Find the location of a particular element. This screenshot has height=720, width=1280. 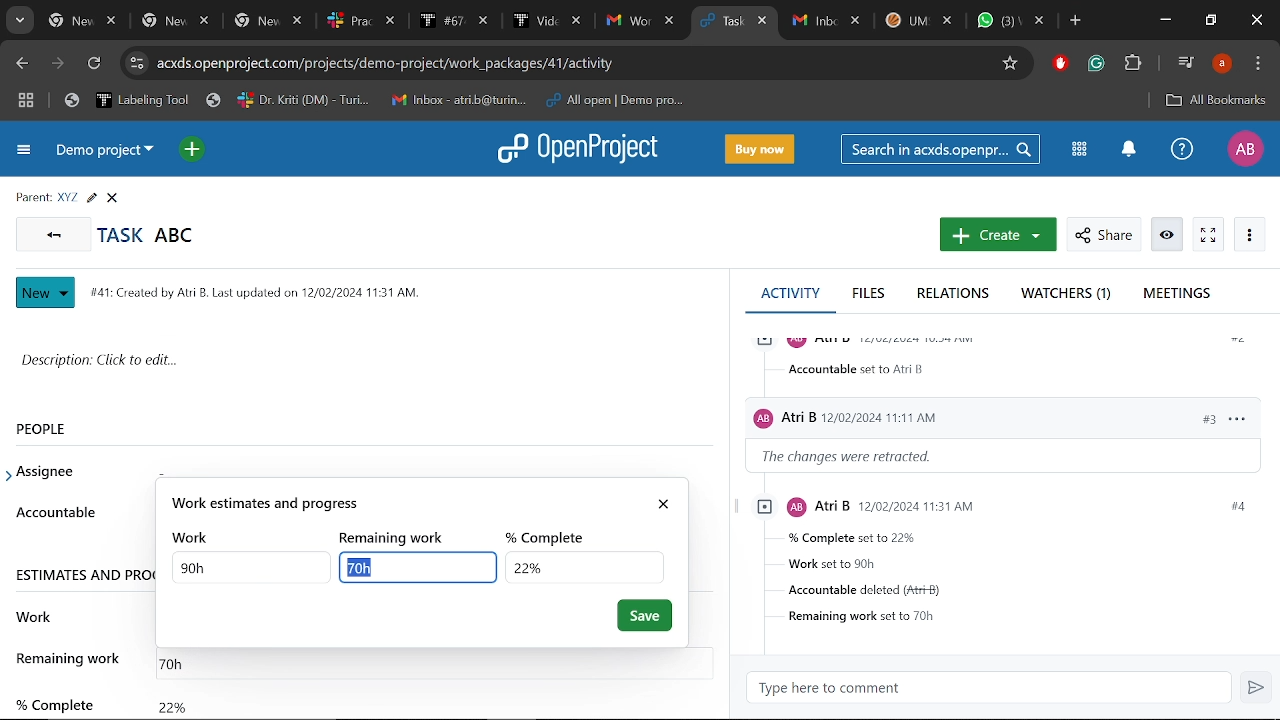

% complete is located at coordinates (552, 535).